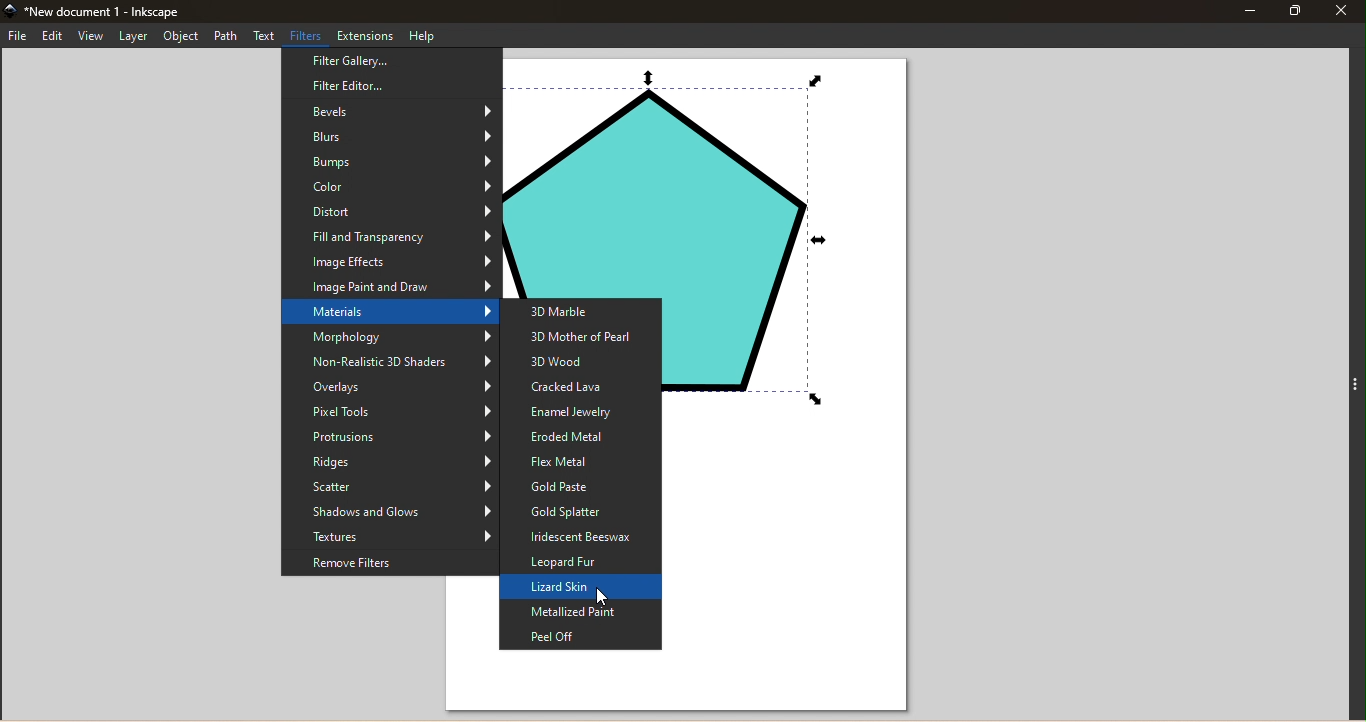  I want to click on Color, so click(391, 188).